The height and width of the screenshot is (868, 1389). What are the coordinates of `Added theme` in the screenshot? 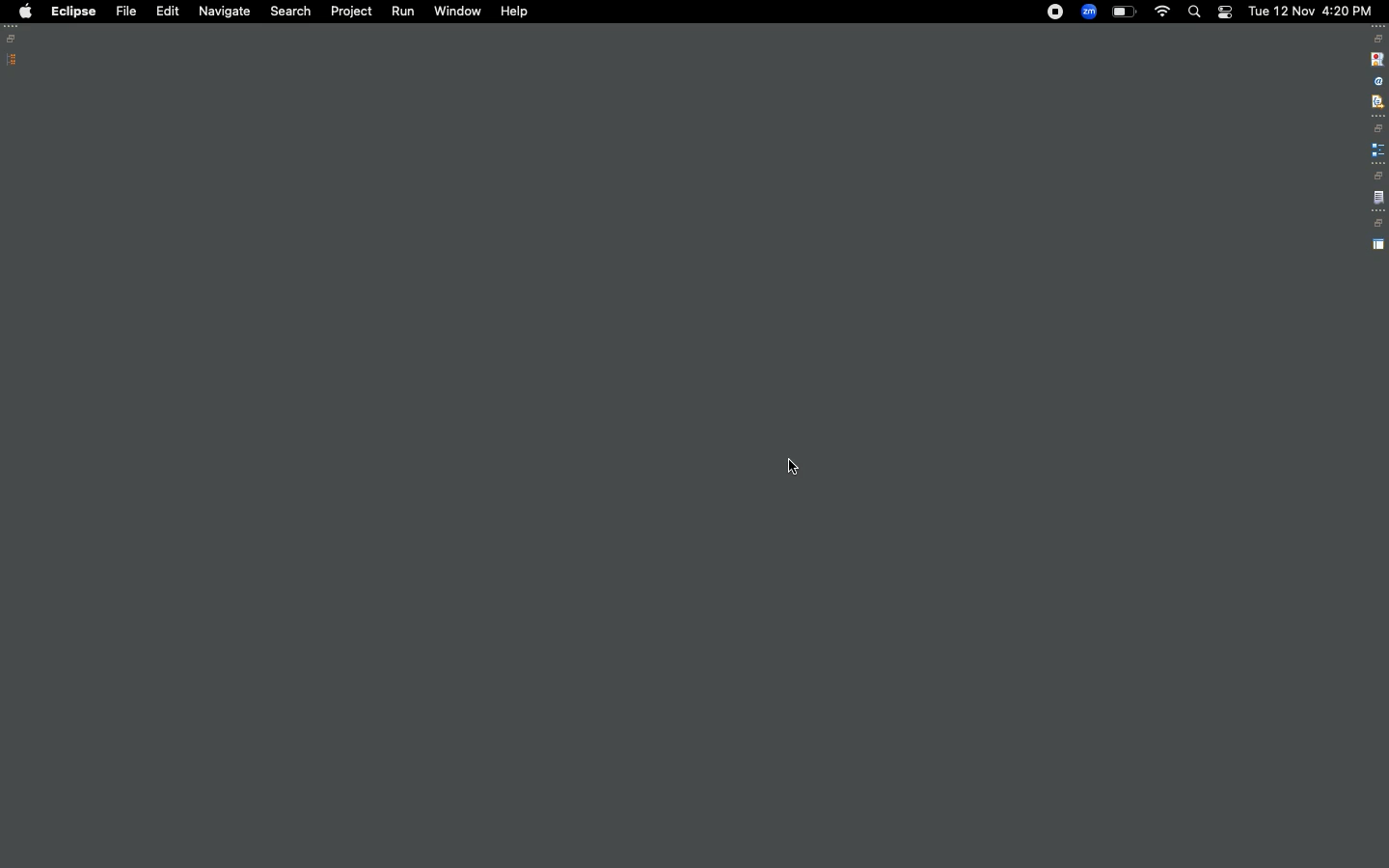 It's located at (817, 475).